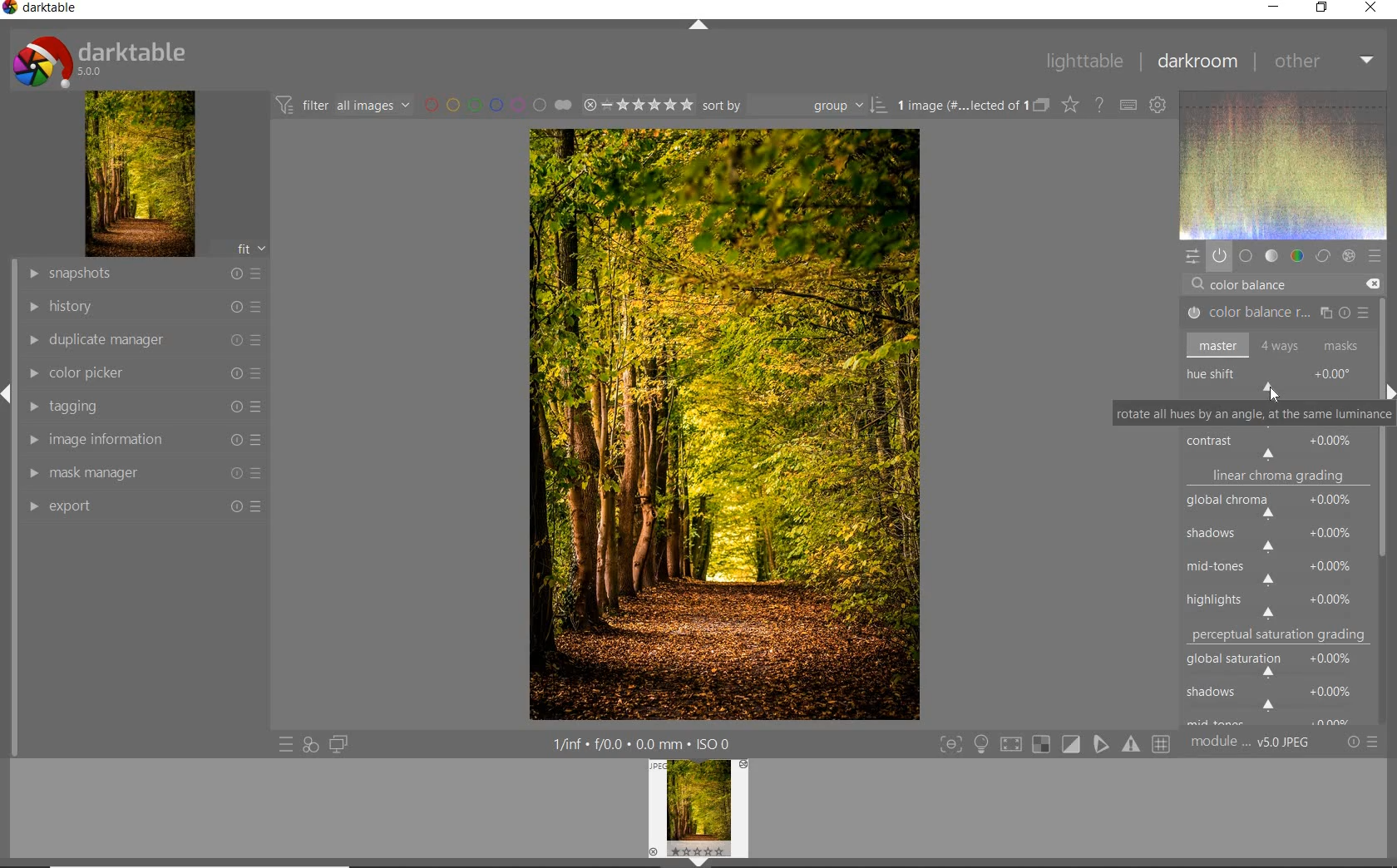 This screenshot has width=1397, height=868. I want to click on display a second darkroom image window, so click(335, 744).